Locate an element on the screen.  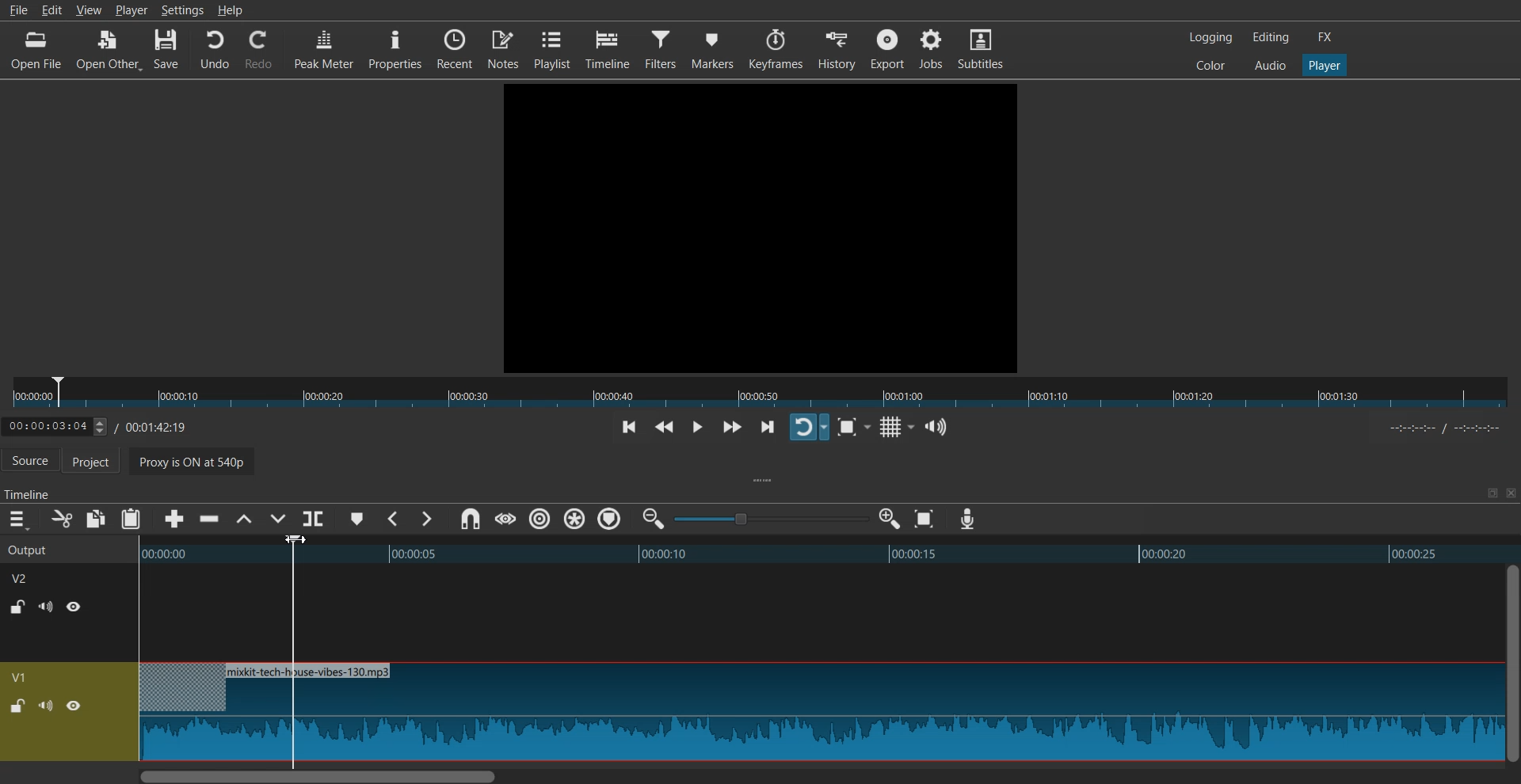
Ripple all markers is located at coordinates (575, 519).